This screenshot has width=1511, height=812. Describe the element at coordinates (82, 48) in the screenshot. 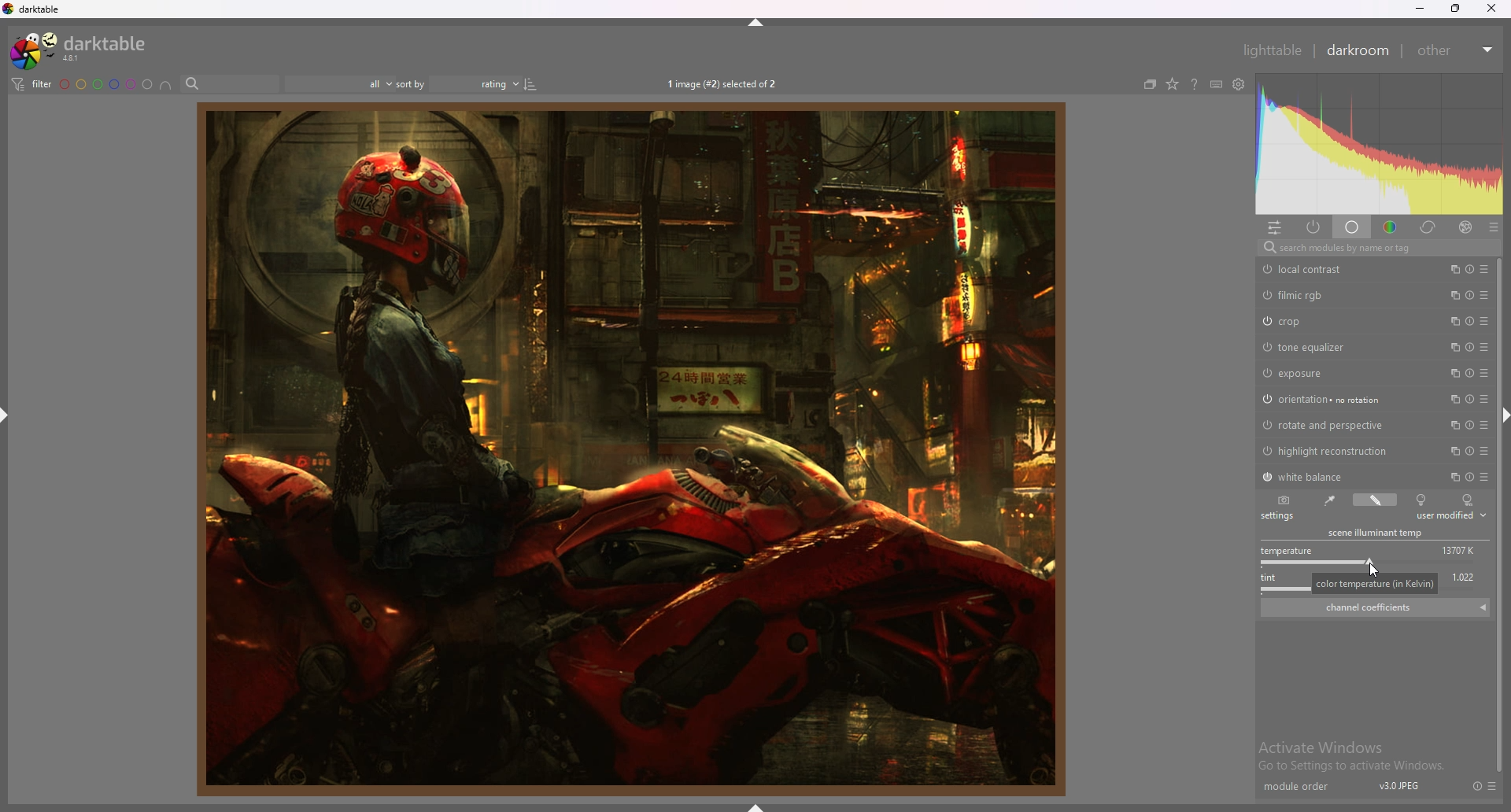

I see `darktable` at that location.